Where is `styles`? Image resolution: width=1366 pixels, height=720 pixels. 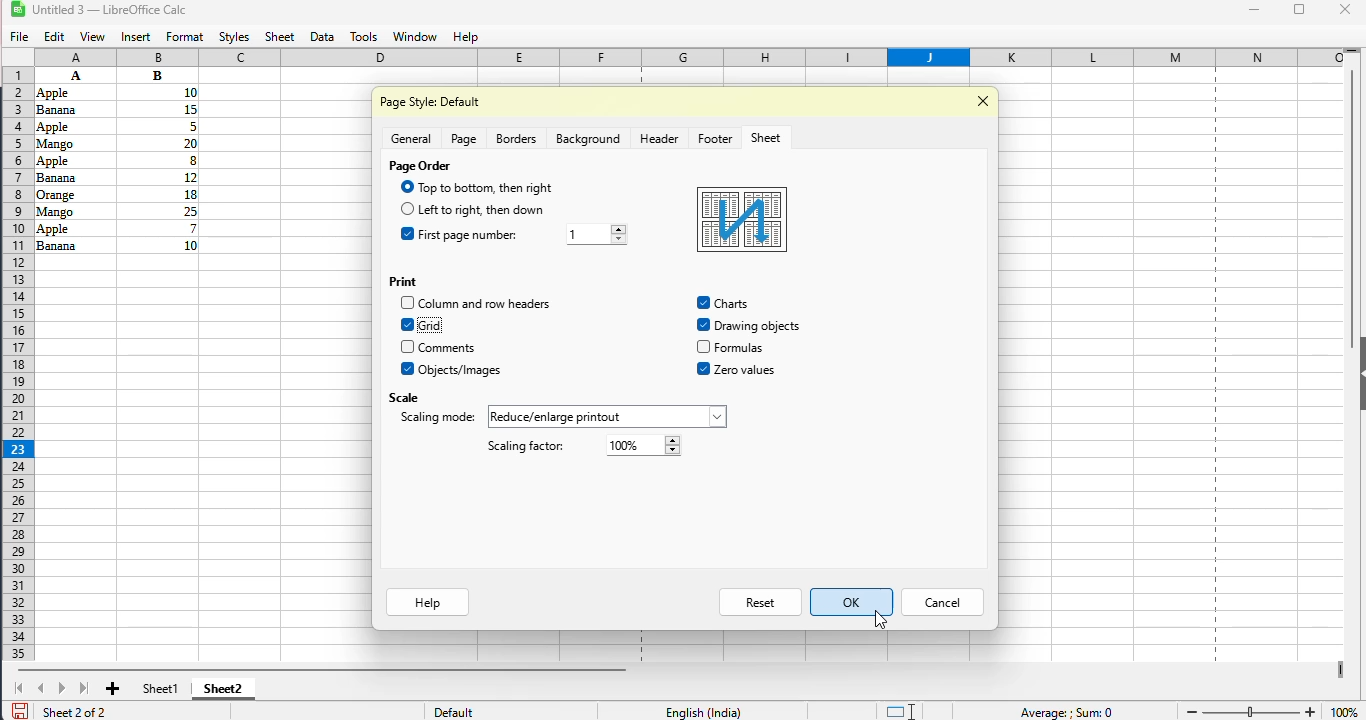
styles is located at coordinates (235, 38).